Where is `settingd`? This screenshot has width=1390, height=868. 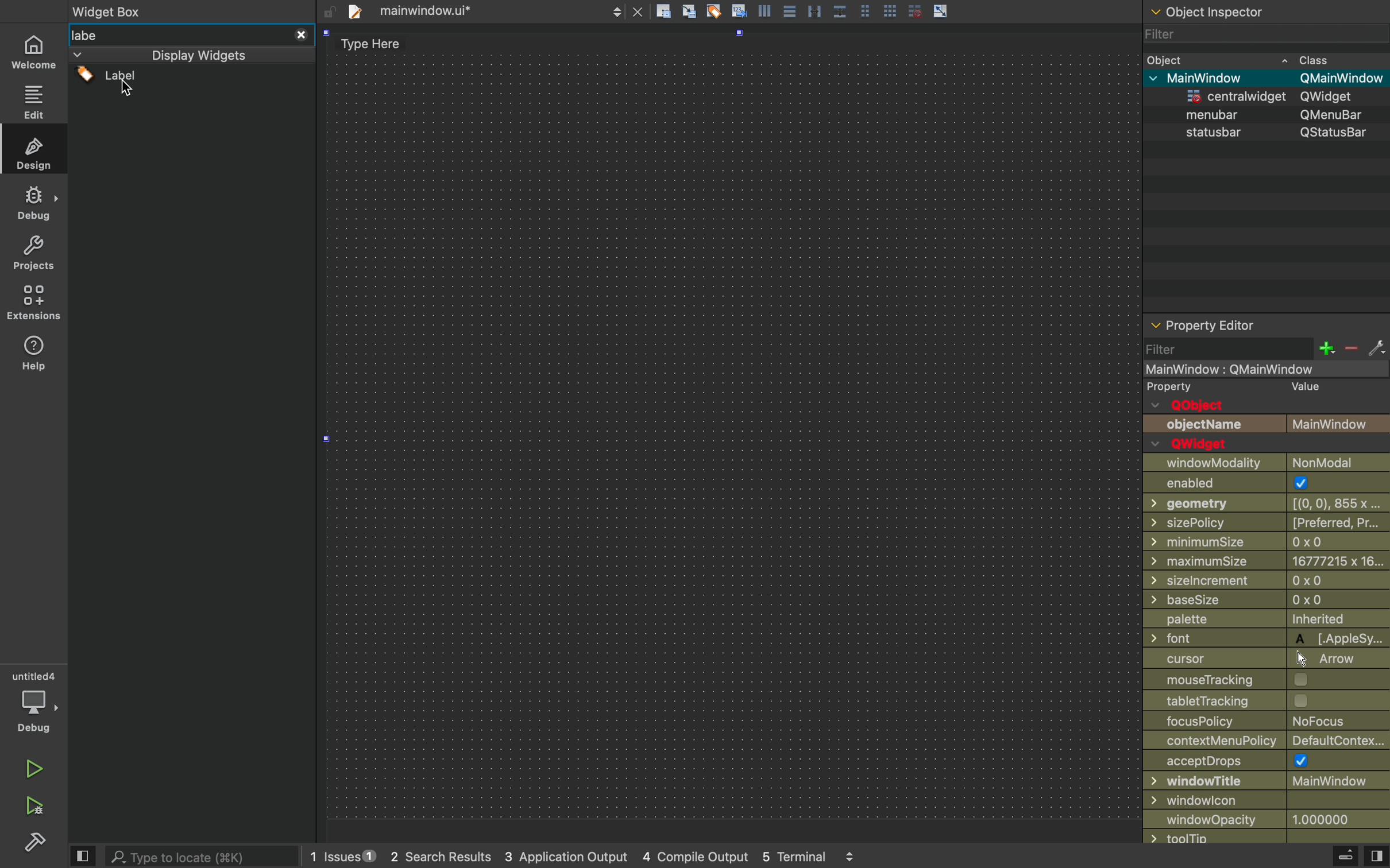
settingd is located at coordinates (30, 843).